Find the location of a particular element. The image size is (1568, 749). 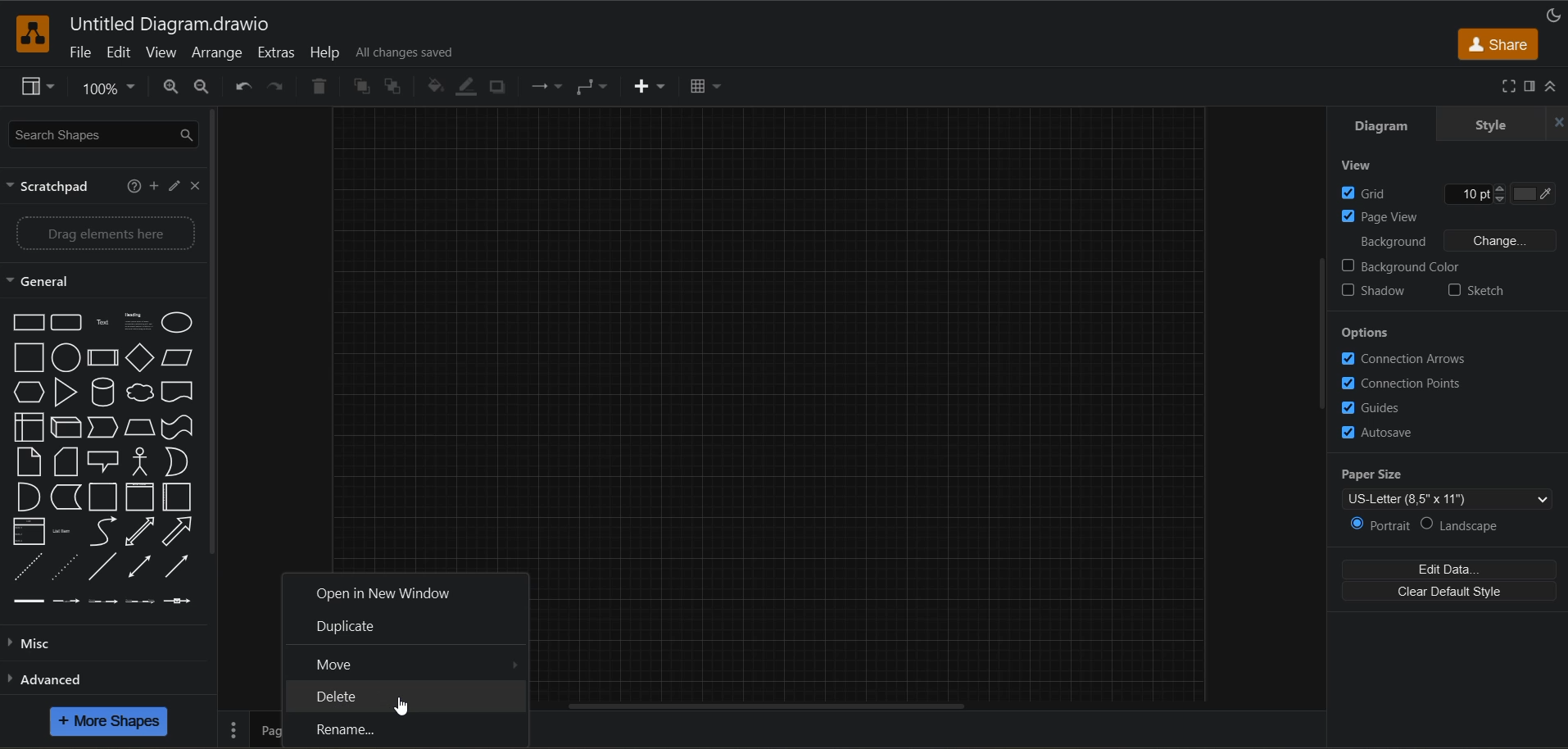

insert is located at coordinates (650, 89).